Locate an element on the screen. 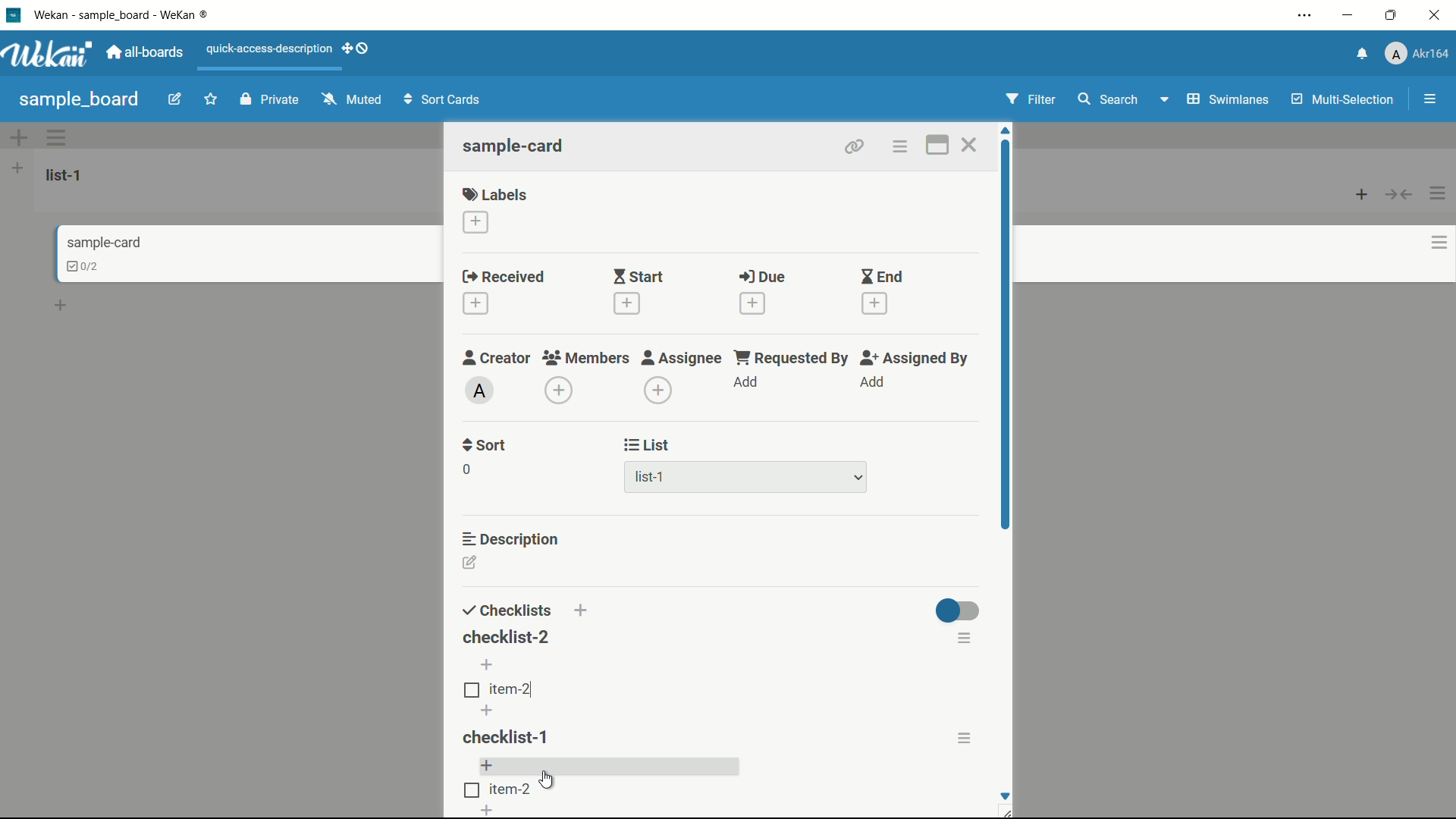 The height and width of the screenshot is (819, 1456). due is located at coordinates (762, 278).